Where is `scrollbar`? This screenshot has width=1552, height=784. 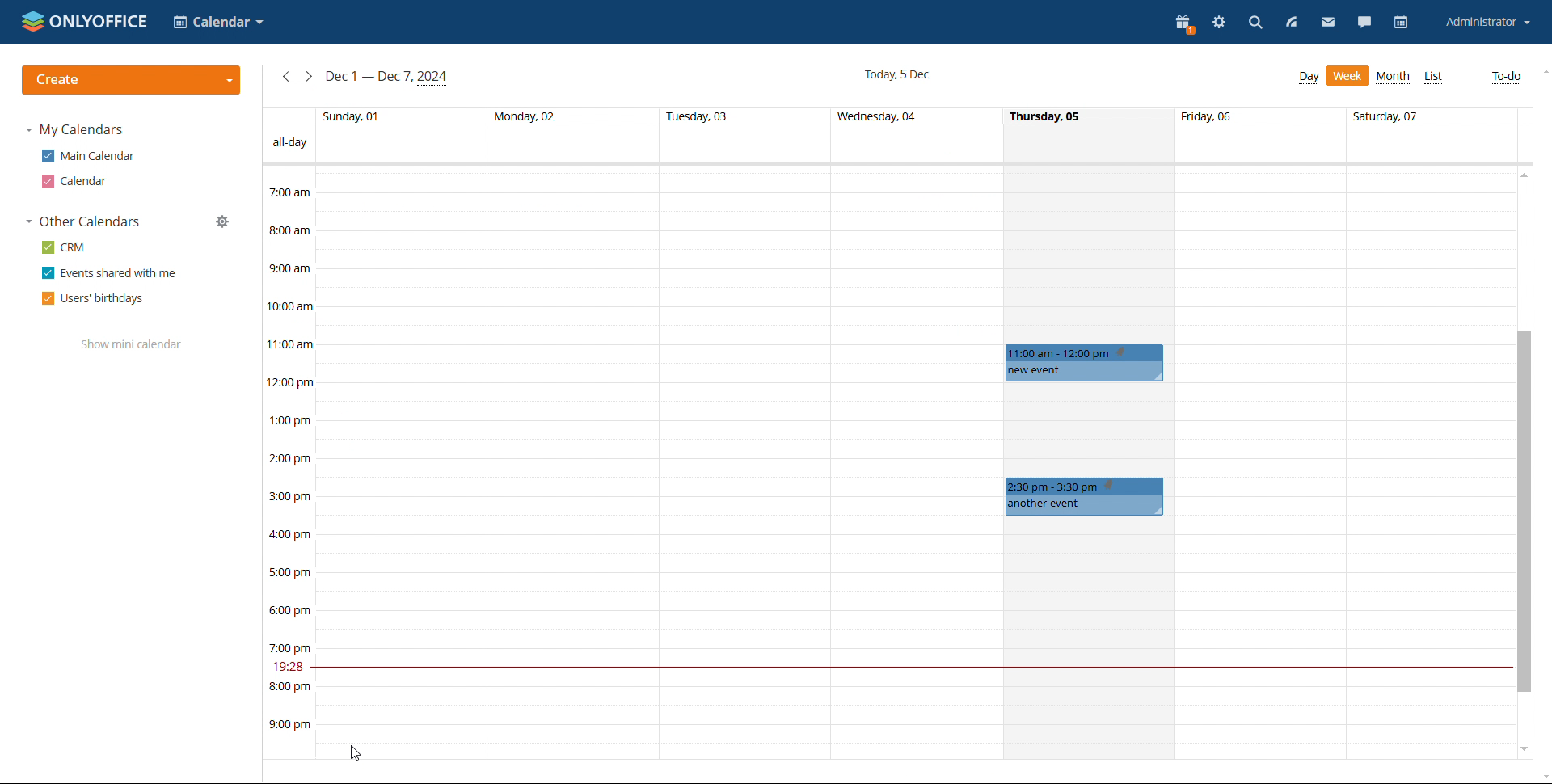 scrollbar is located at coordinates (1524, 512).